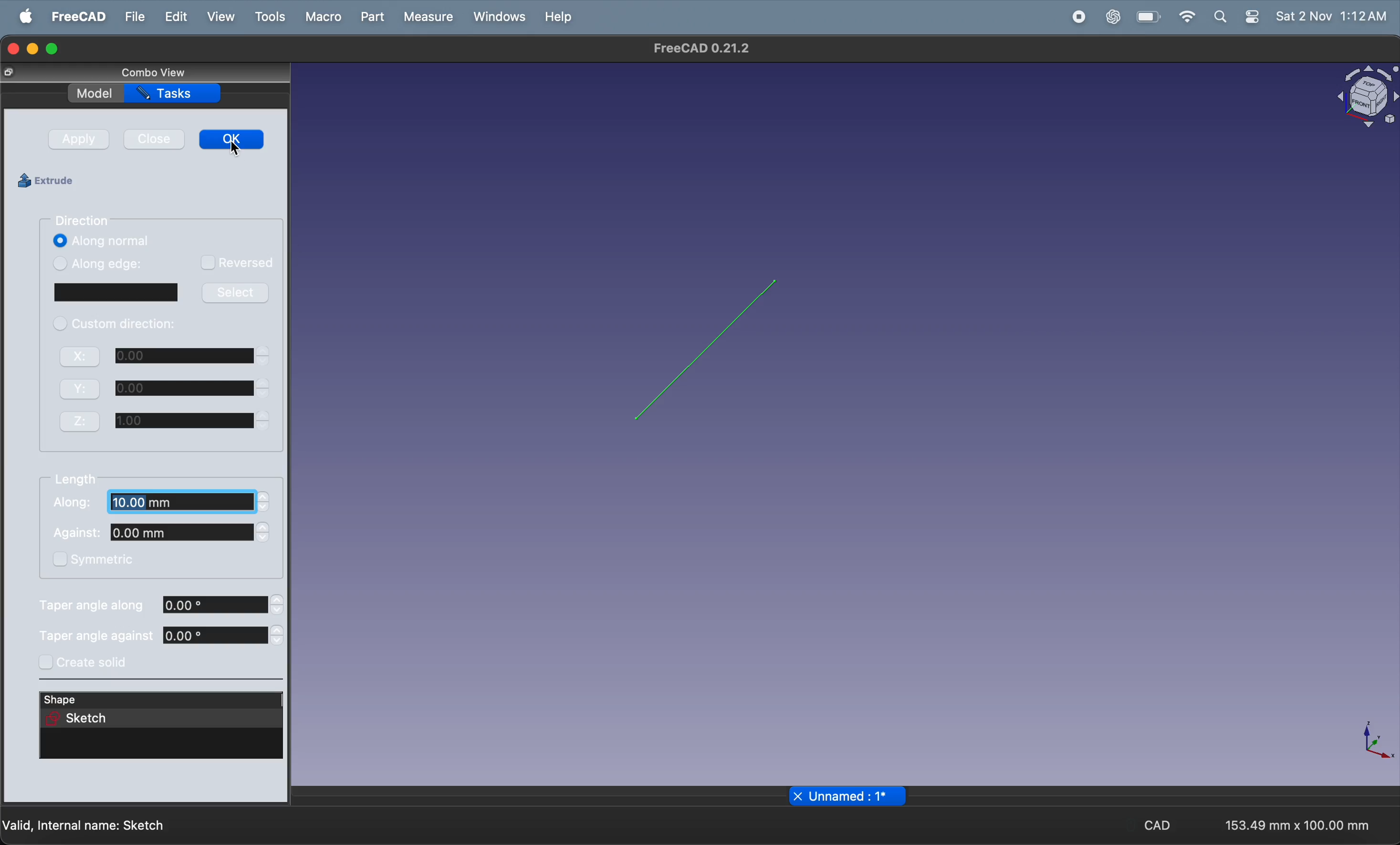 This screenshot has width=1400, height=845. Describe the element at coordinates (560, 17) in the screenshot. I see `help` at that location.